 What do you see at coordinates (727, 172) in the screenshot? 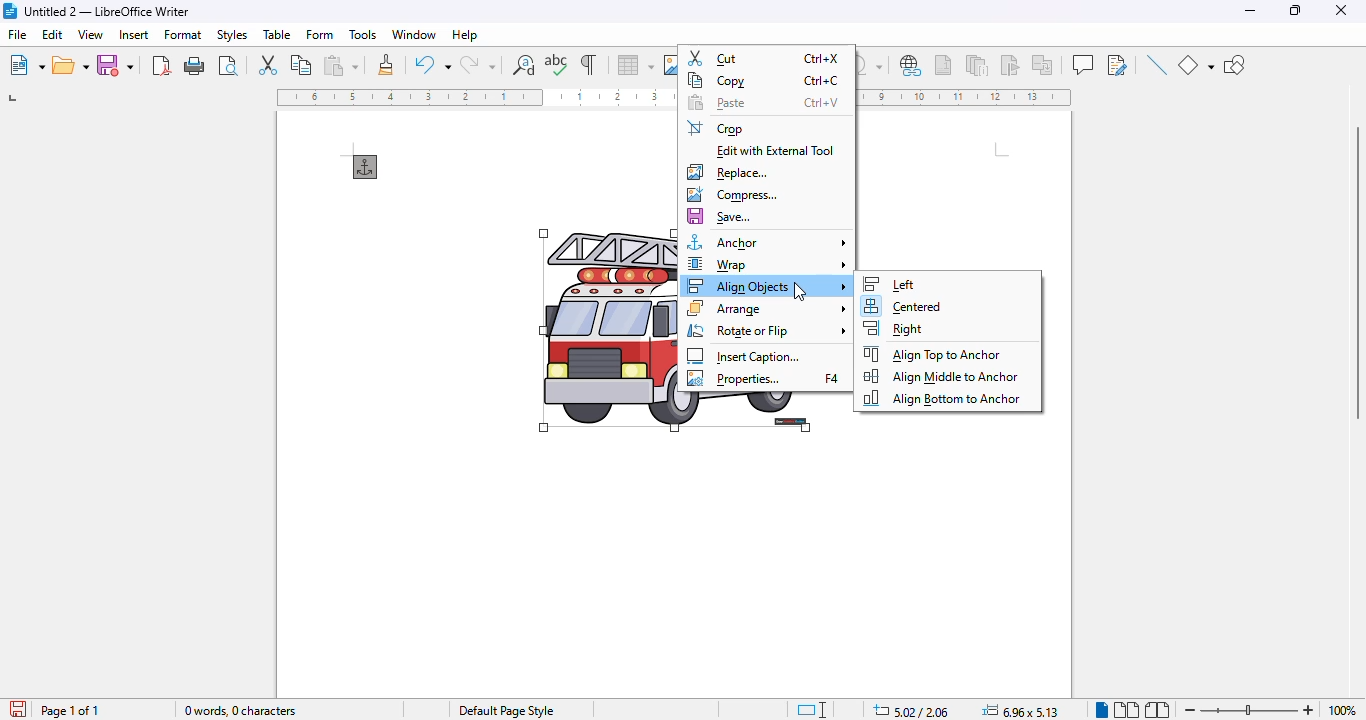
I see `replace` at bounding box center [727, 172].